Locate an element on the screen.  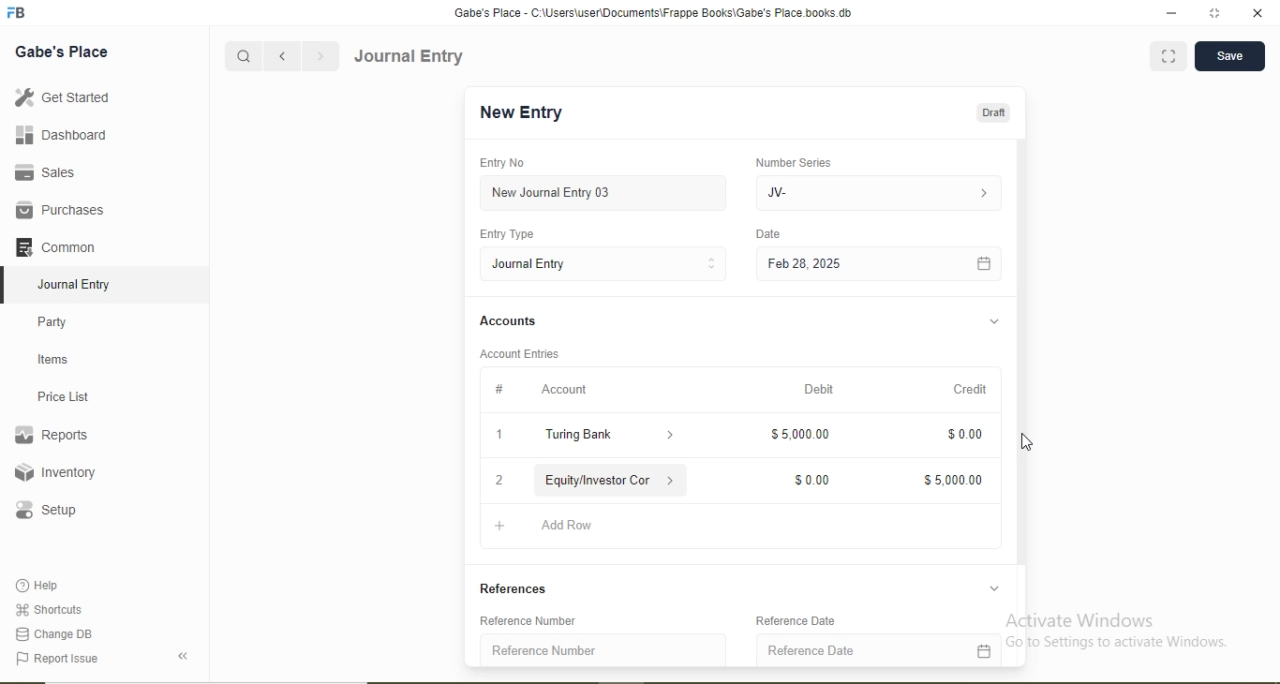
Accounts is located at coordinates (508, 320).